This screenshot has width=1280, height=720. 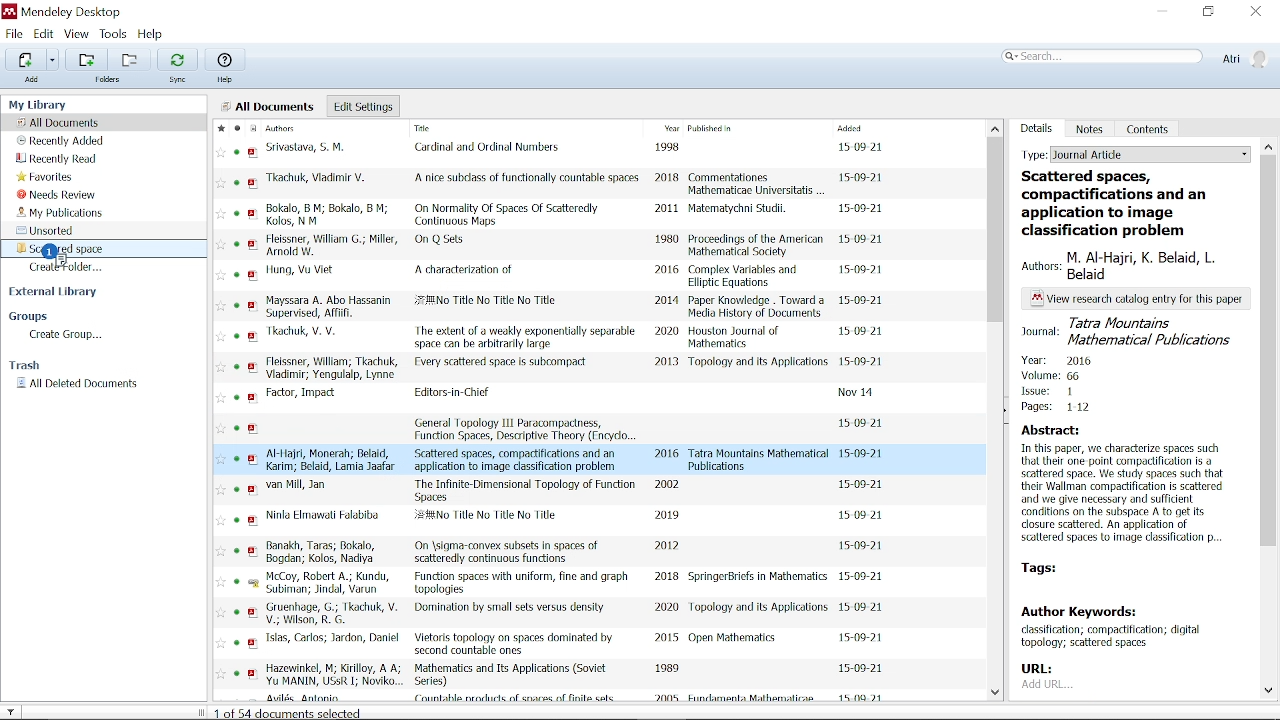 I want to click on authors, so click(x=322, y=181).